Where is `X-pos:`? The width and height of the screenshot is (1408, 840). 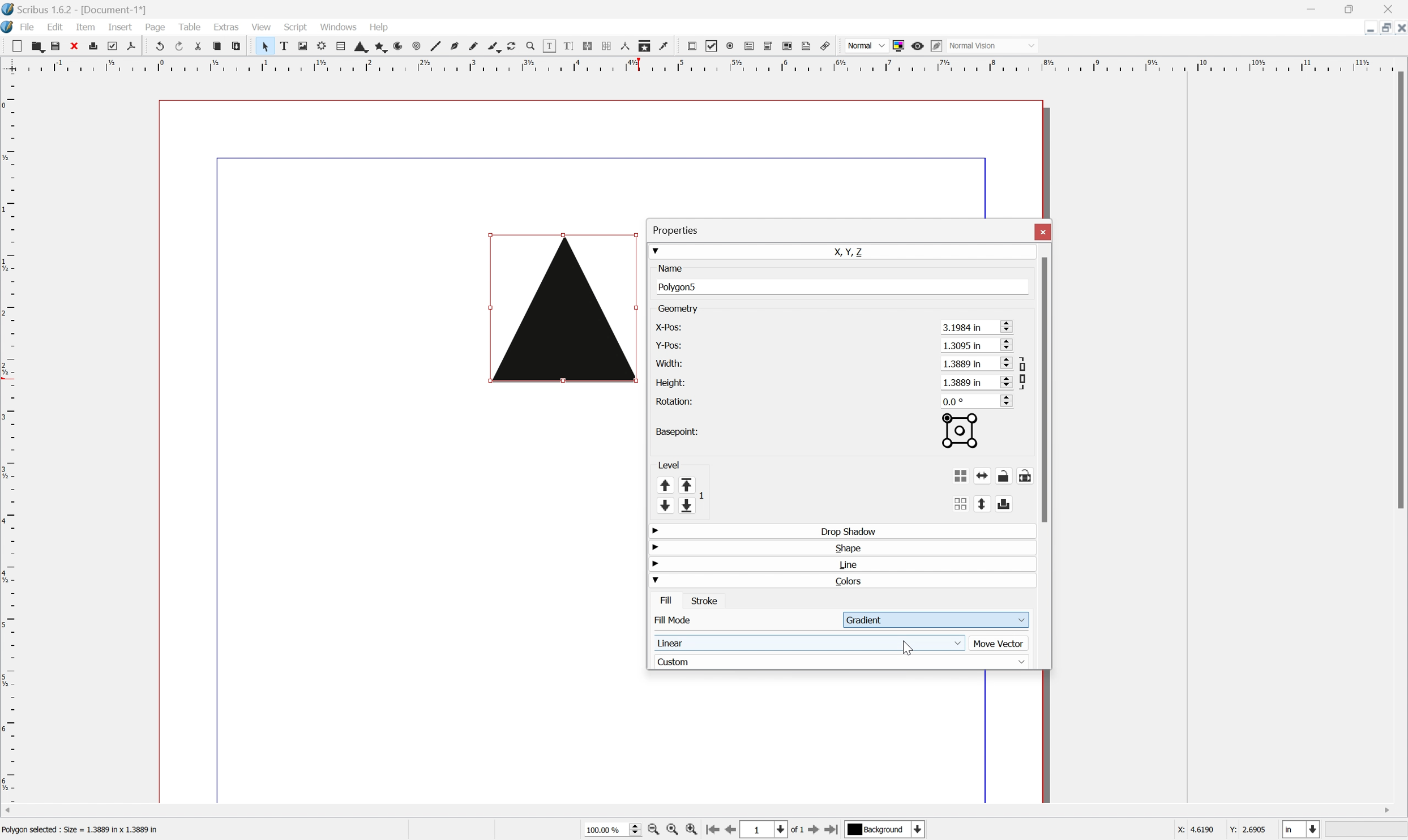 X-pos: is located at coordinates (668, 327).